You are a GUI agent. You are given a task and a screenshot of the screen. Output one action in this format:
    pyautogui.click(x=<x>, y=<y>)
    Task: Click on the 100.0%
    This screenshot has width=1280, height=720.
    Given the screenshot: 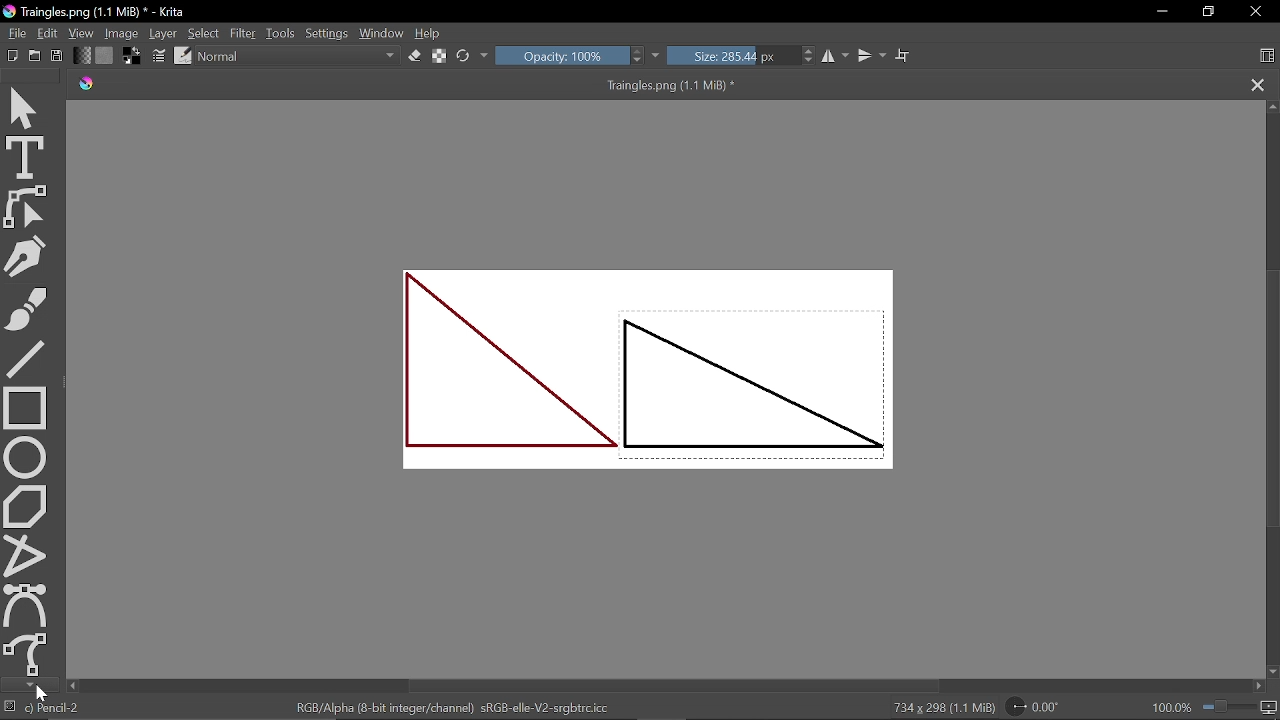 What is the action you would take?
    pyautogui.click(x=1215, y=707)
    